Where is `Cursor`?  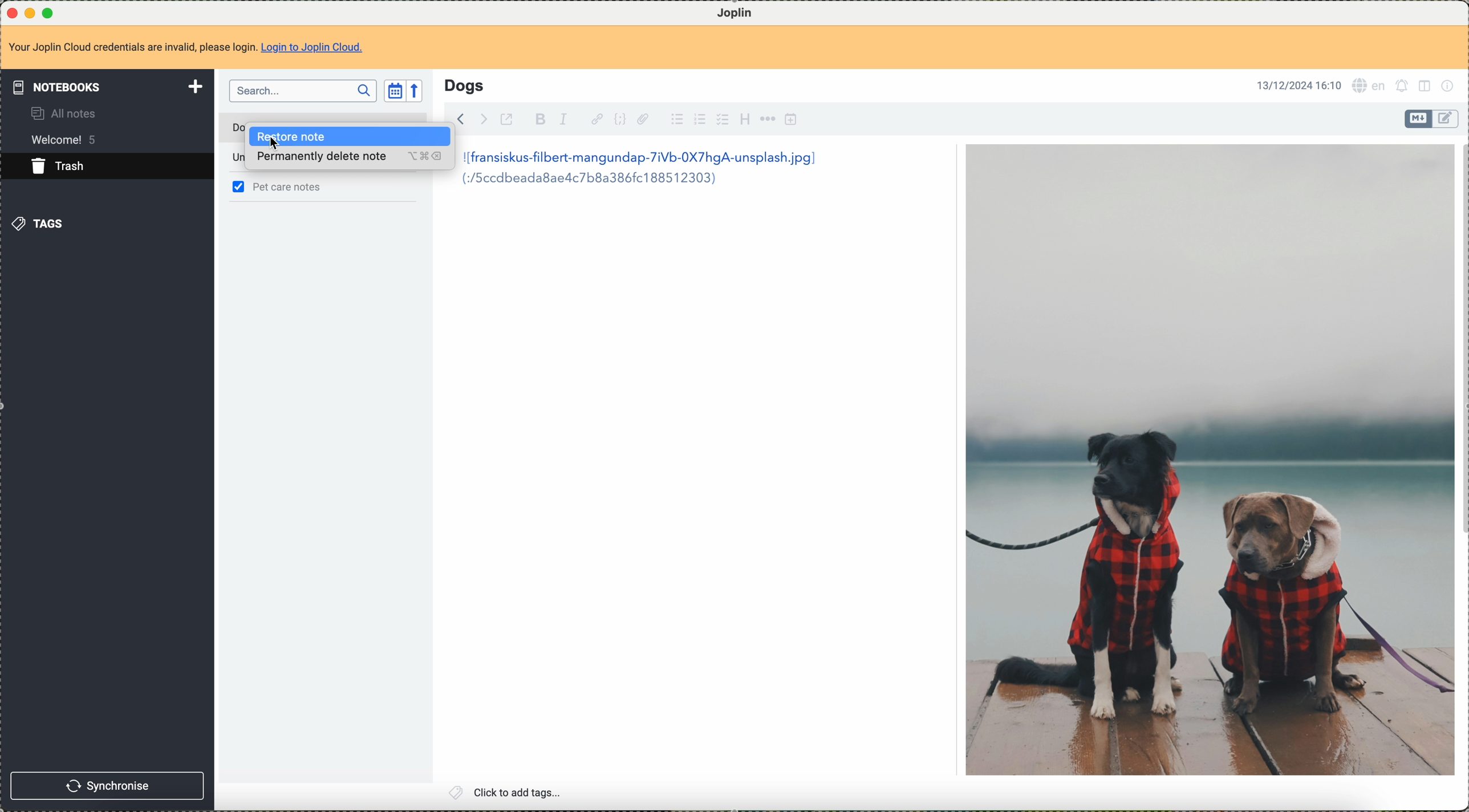
Cursor is located at coordinates (280, 146).